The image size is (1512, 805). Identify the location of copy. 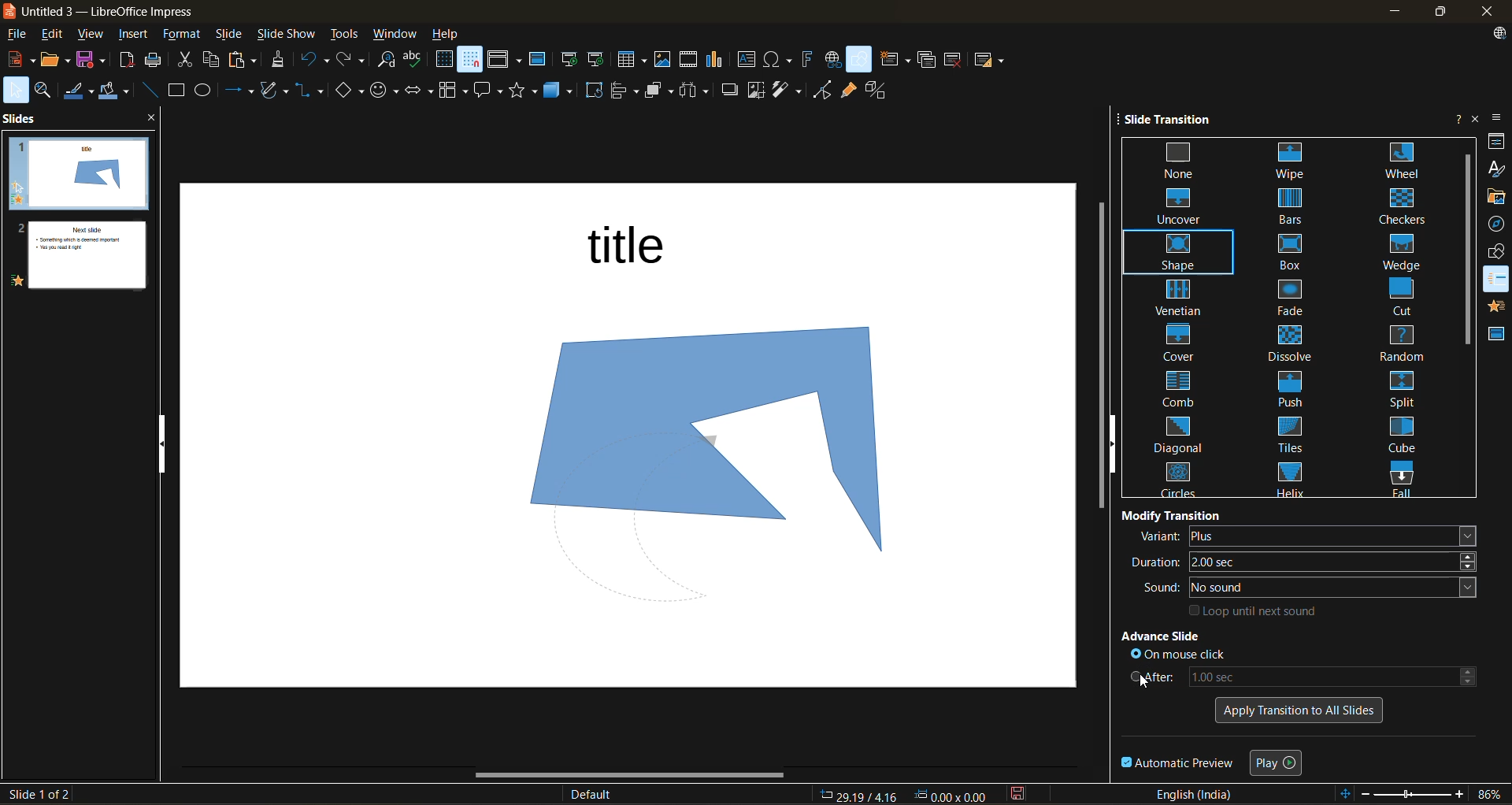
(211, 59).